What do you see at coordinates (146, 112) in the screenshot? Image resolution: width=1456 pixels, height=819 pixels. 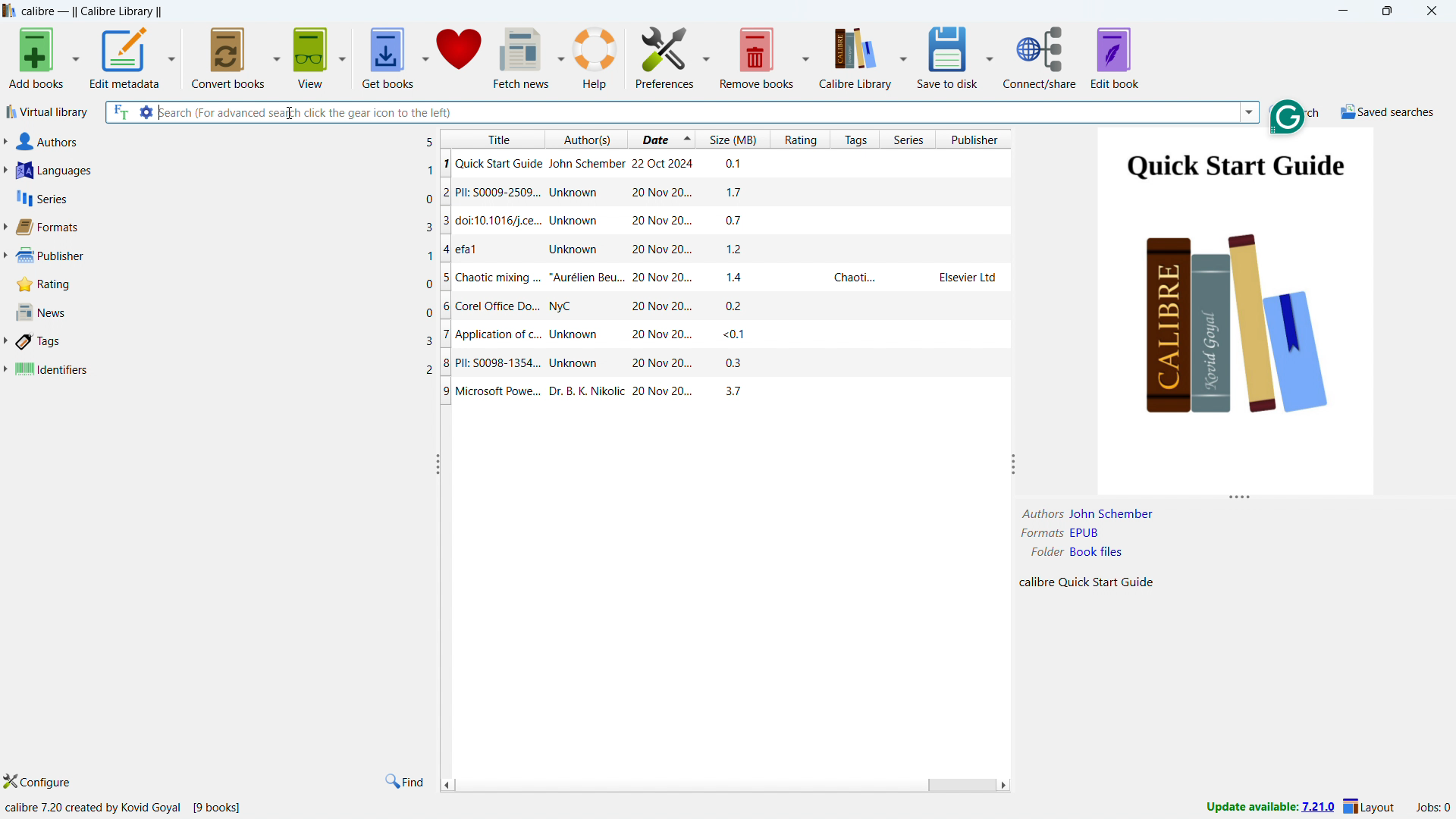 I see `advance search` at bounding box center [146, 112].